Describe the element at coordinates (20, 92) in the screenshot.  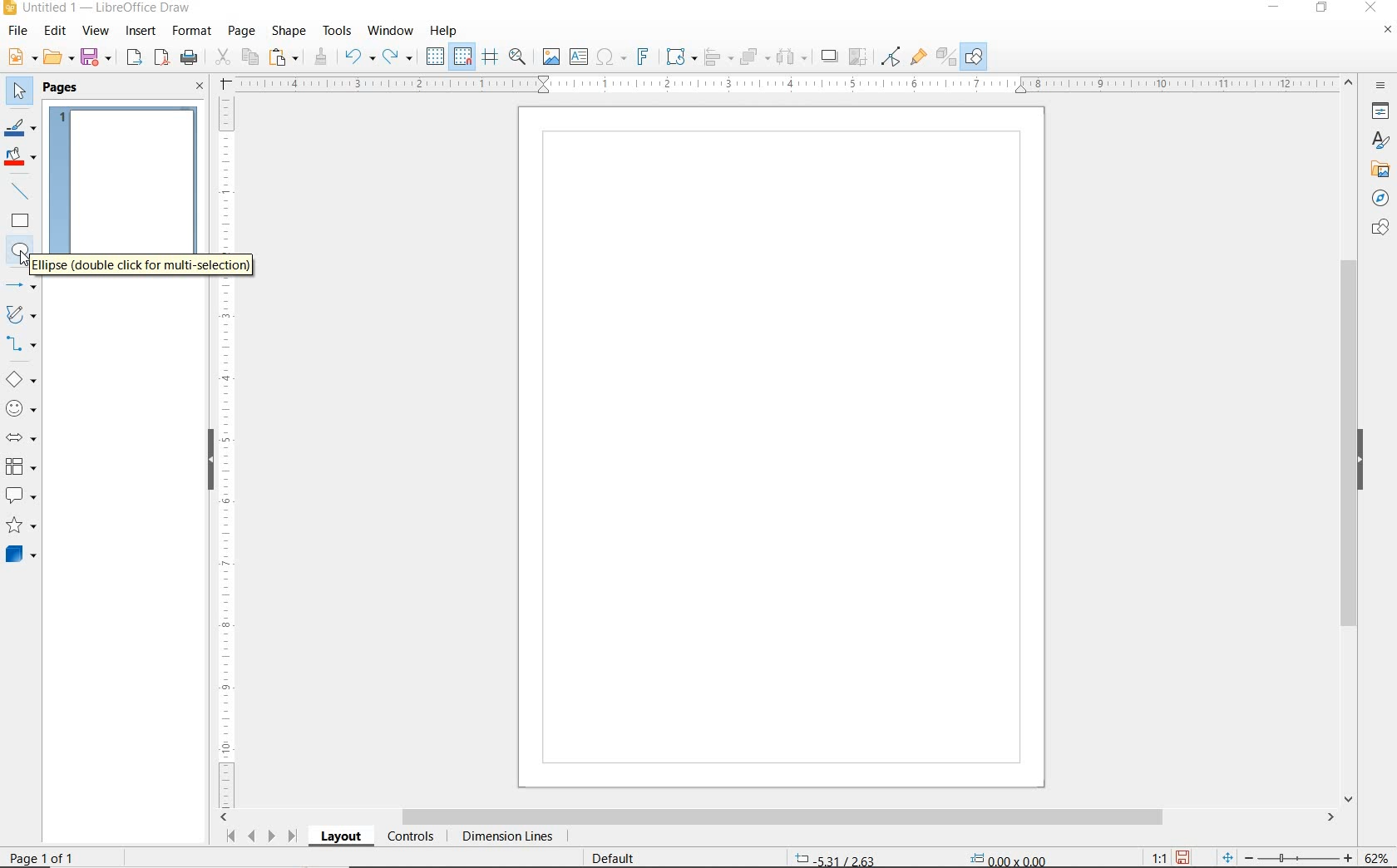
I see `SELECT` at that location.